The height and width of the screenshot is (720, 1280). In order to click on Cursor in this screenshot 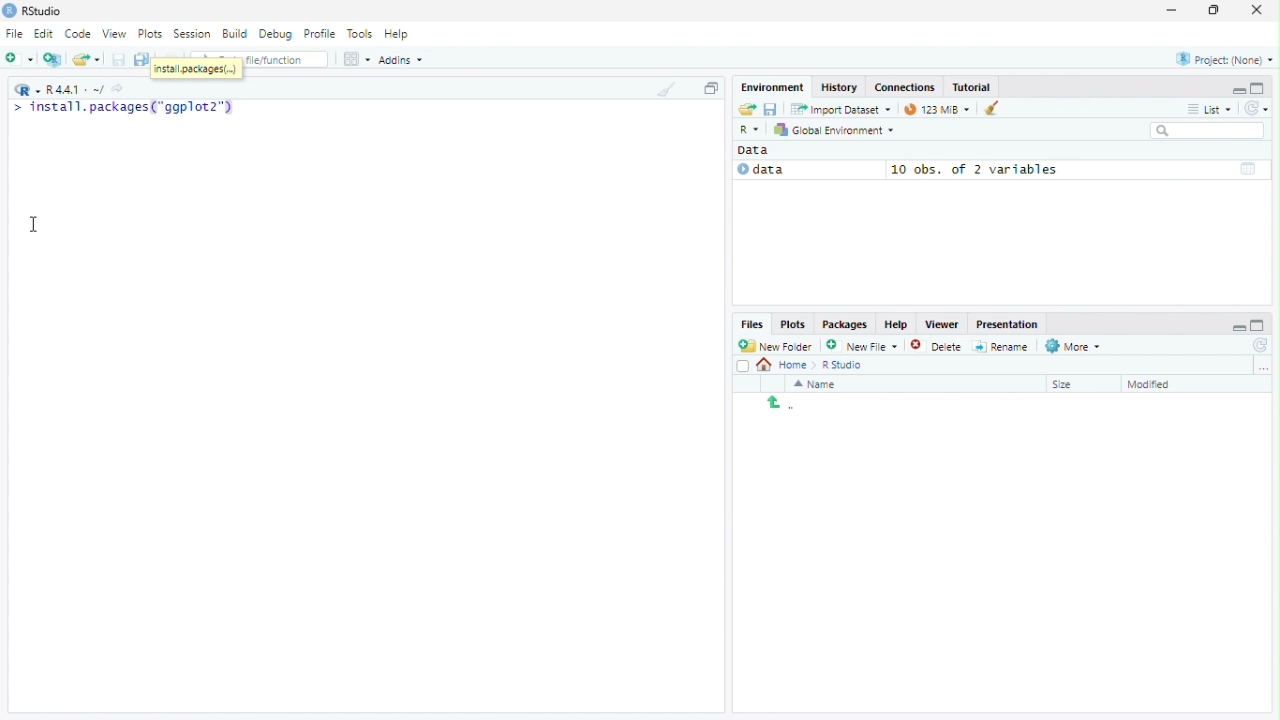, I will do `click(36, 223)`.